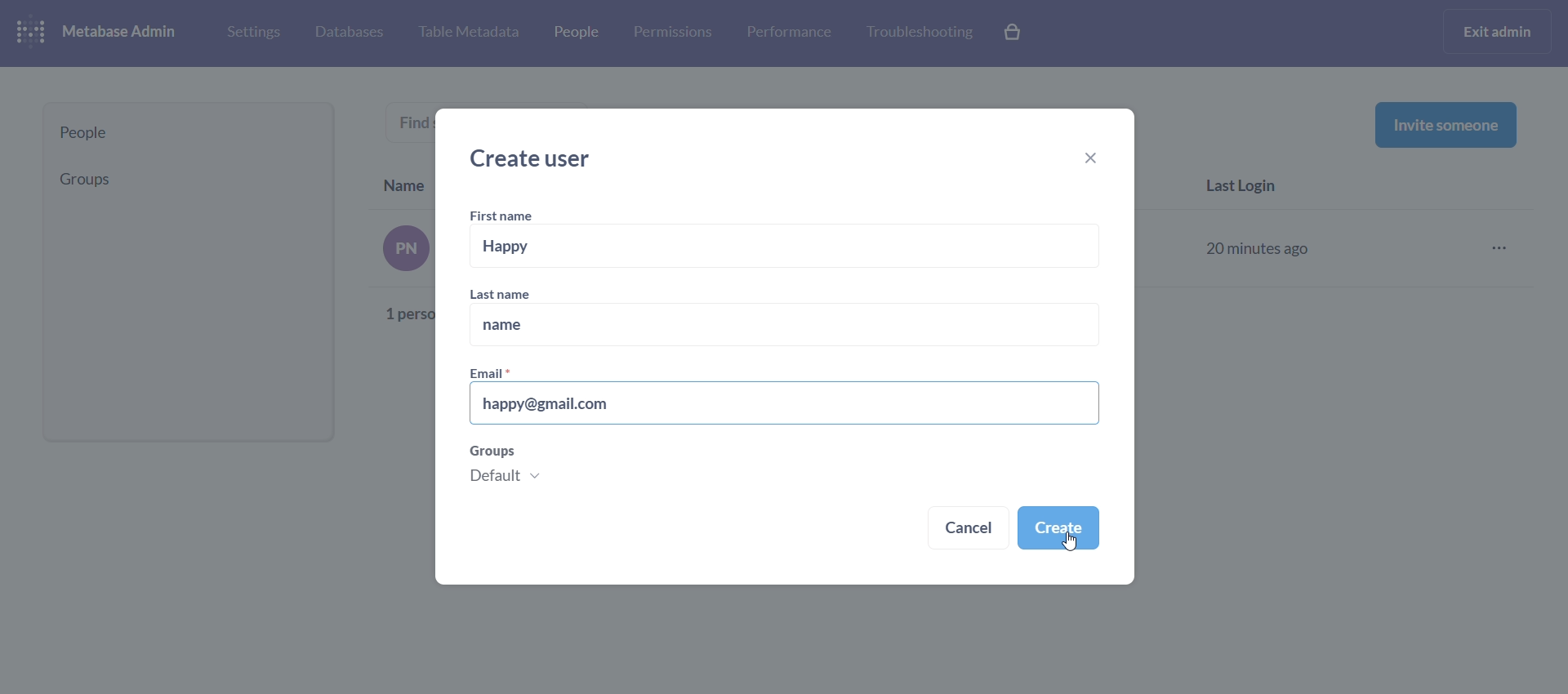 The height and width of the screenshot is (694, 1568). I want to click on cursor, so click(1068, 542).